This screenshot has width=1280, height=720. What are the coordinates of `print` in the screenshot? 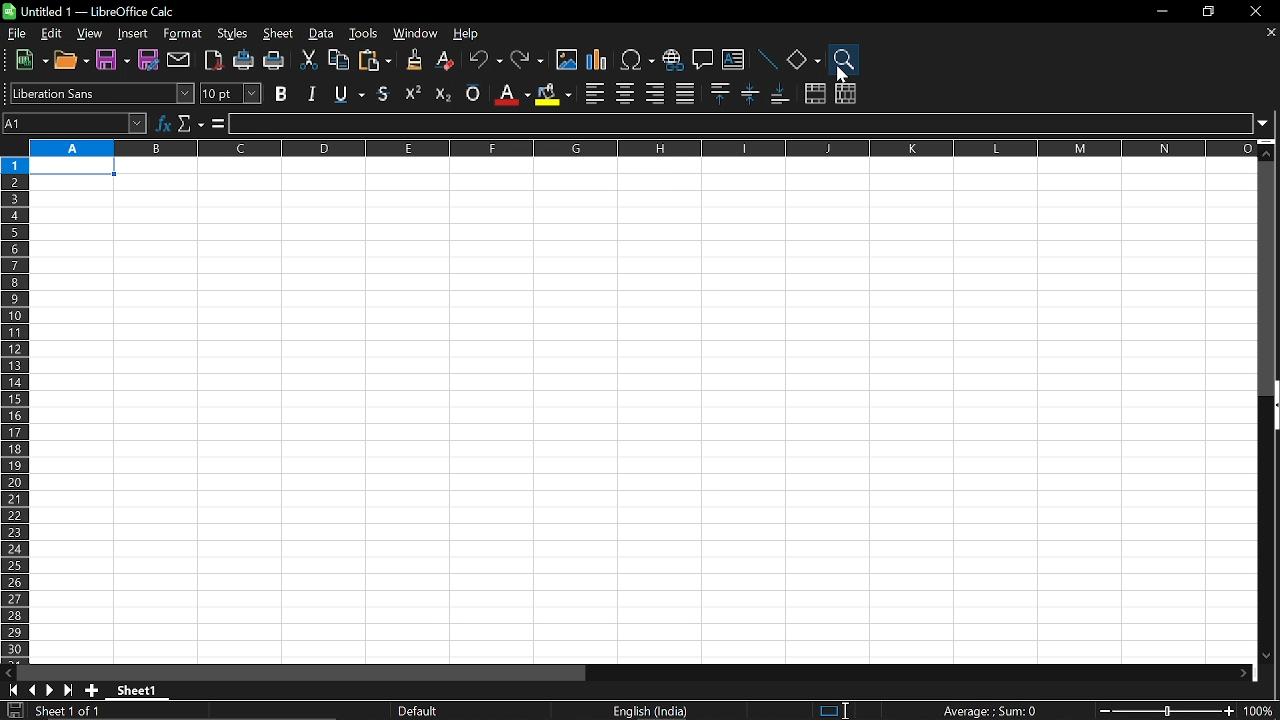 It's located at (274, 62).